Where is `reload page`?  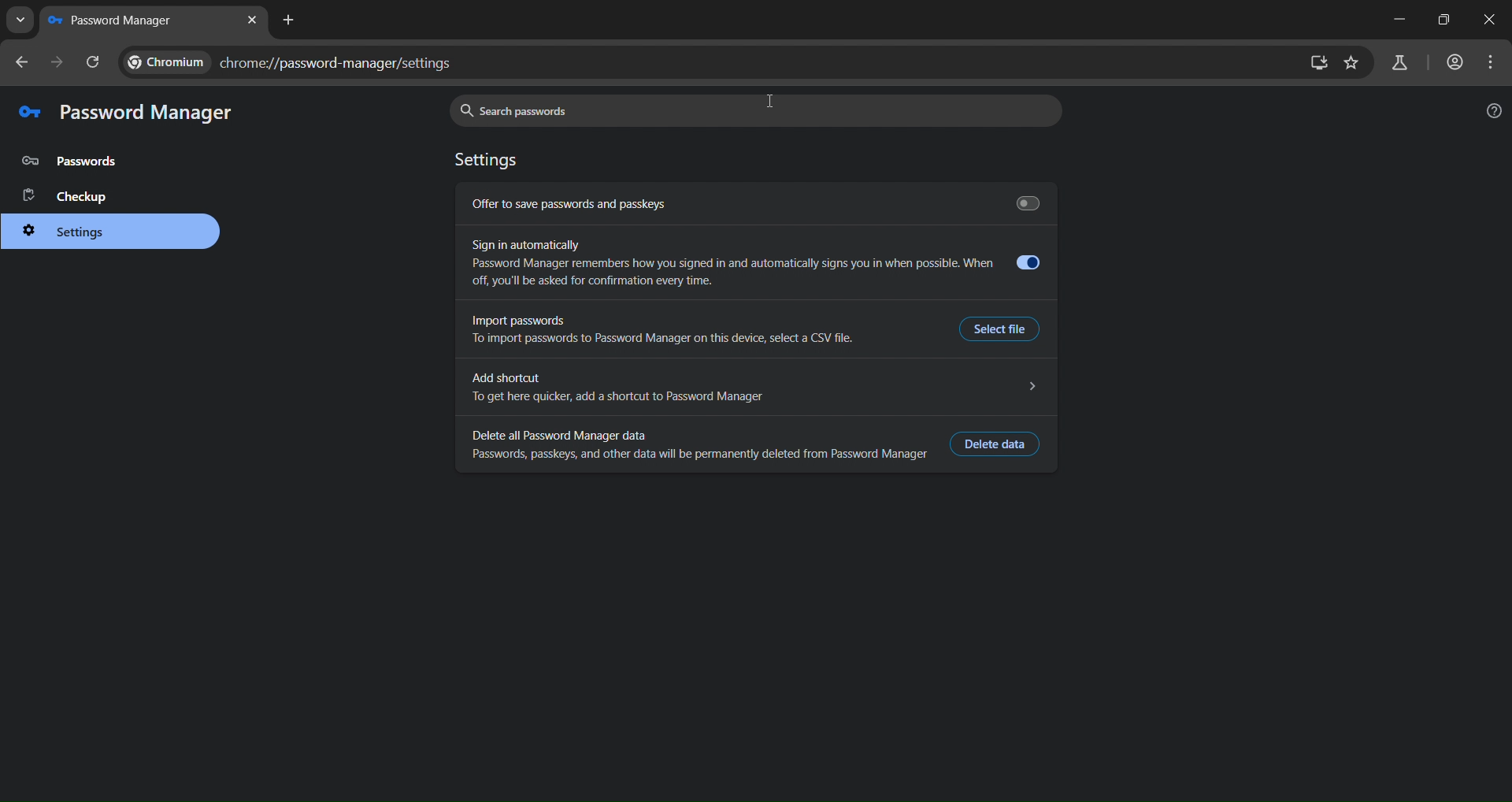
reload page is located at coordinates (95, 64).